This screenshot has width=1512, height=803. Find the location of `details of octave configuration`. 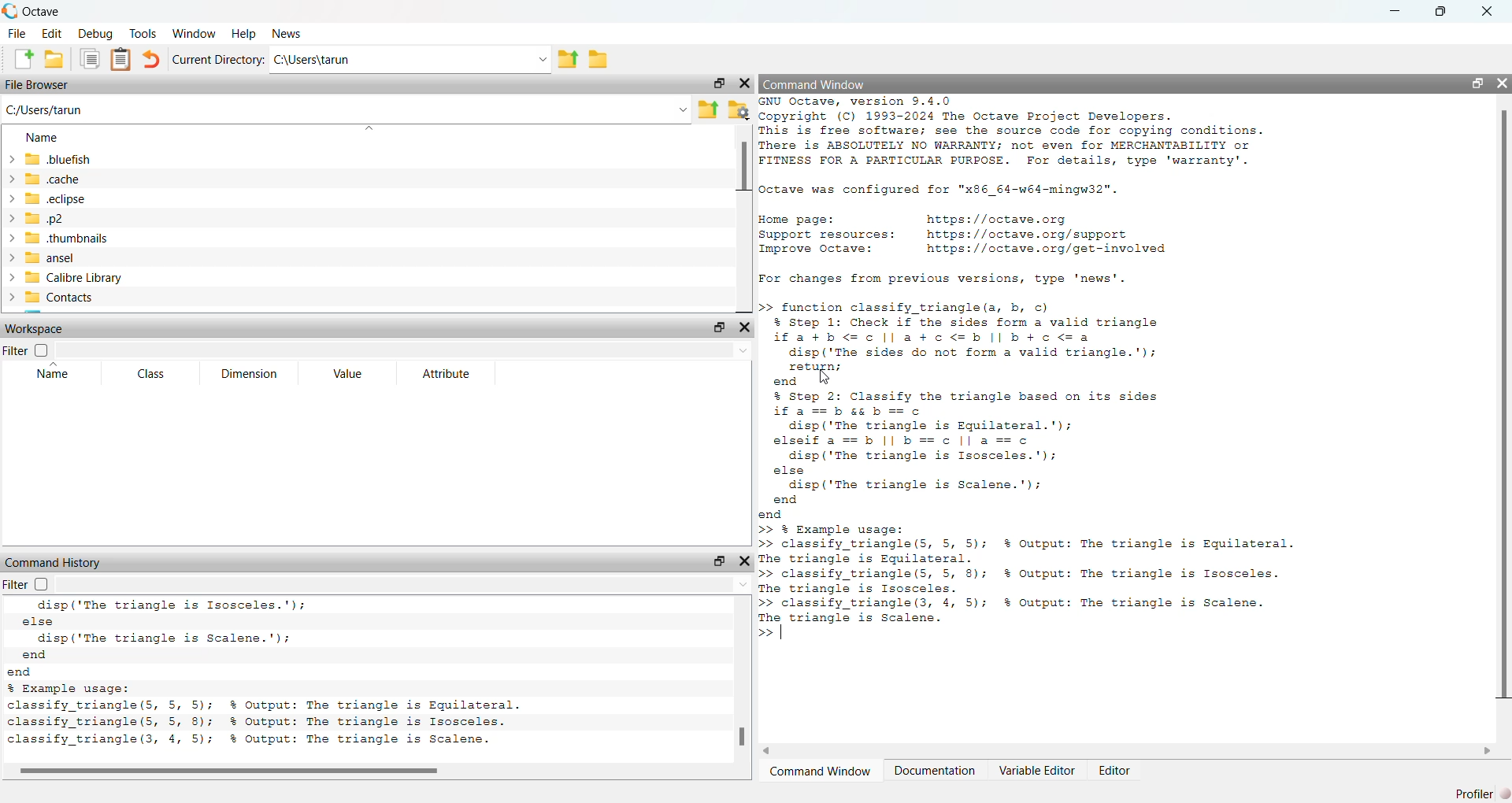

details of octave configuration is located at coordinates (948, 191).